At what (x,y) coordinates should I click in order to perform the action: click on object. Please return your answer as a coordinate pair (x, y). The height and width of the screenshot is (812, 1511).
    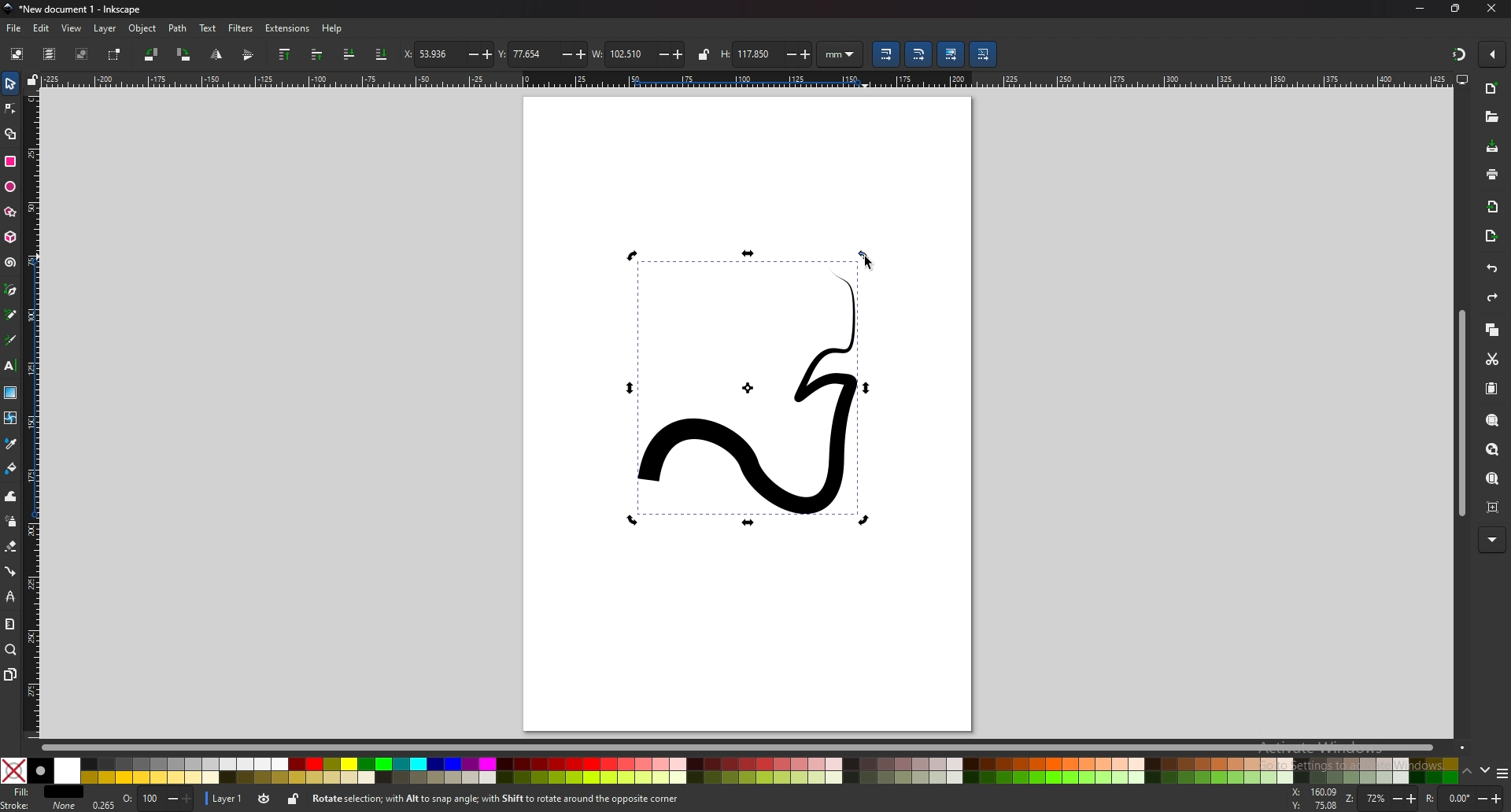
    Looking at the image, I should click on (143, 28).